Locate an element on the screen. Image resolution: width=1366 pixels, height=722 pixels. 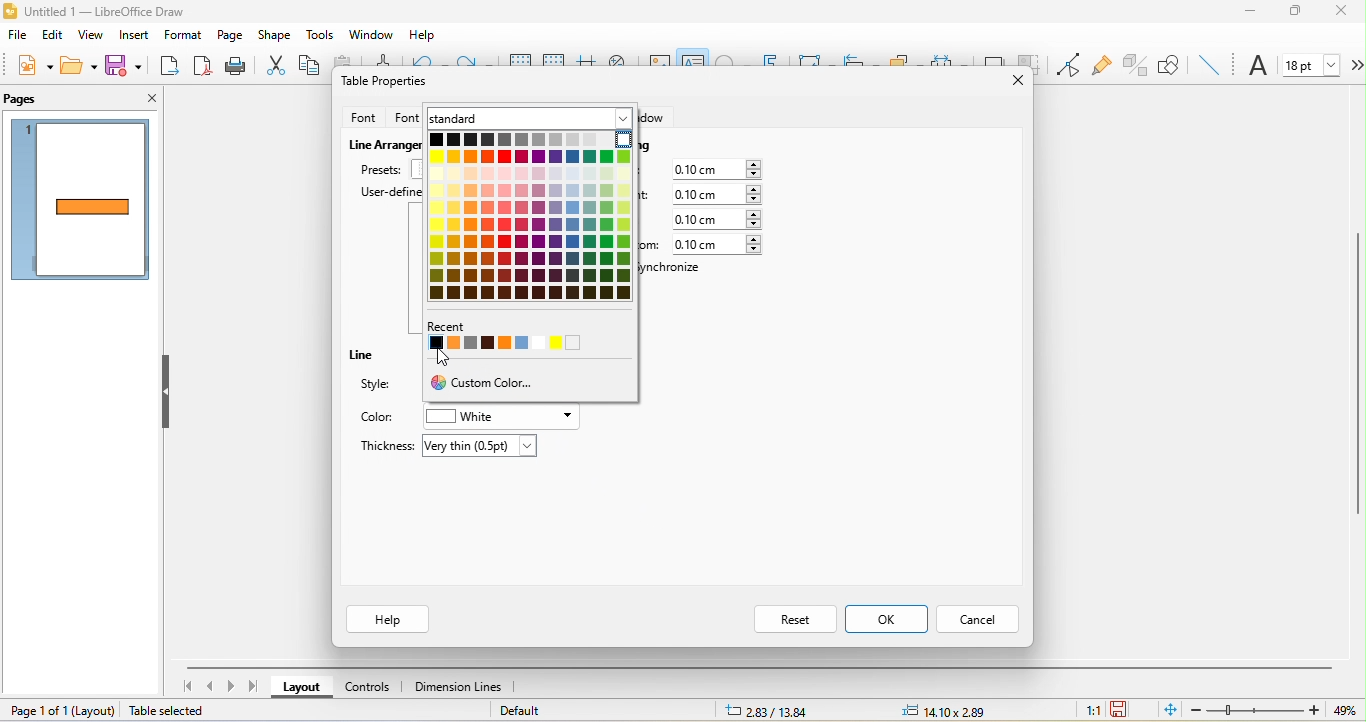
minimize is located at coordinates (1253, 14).